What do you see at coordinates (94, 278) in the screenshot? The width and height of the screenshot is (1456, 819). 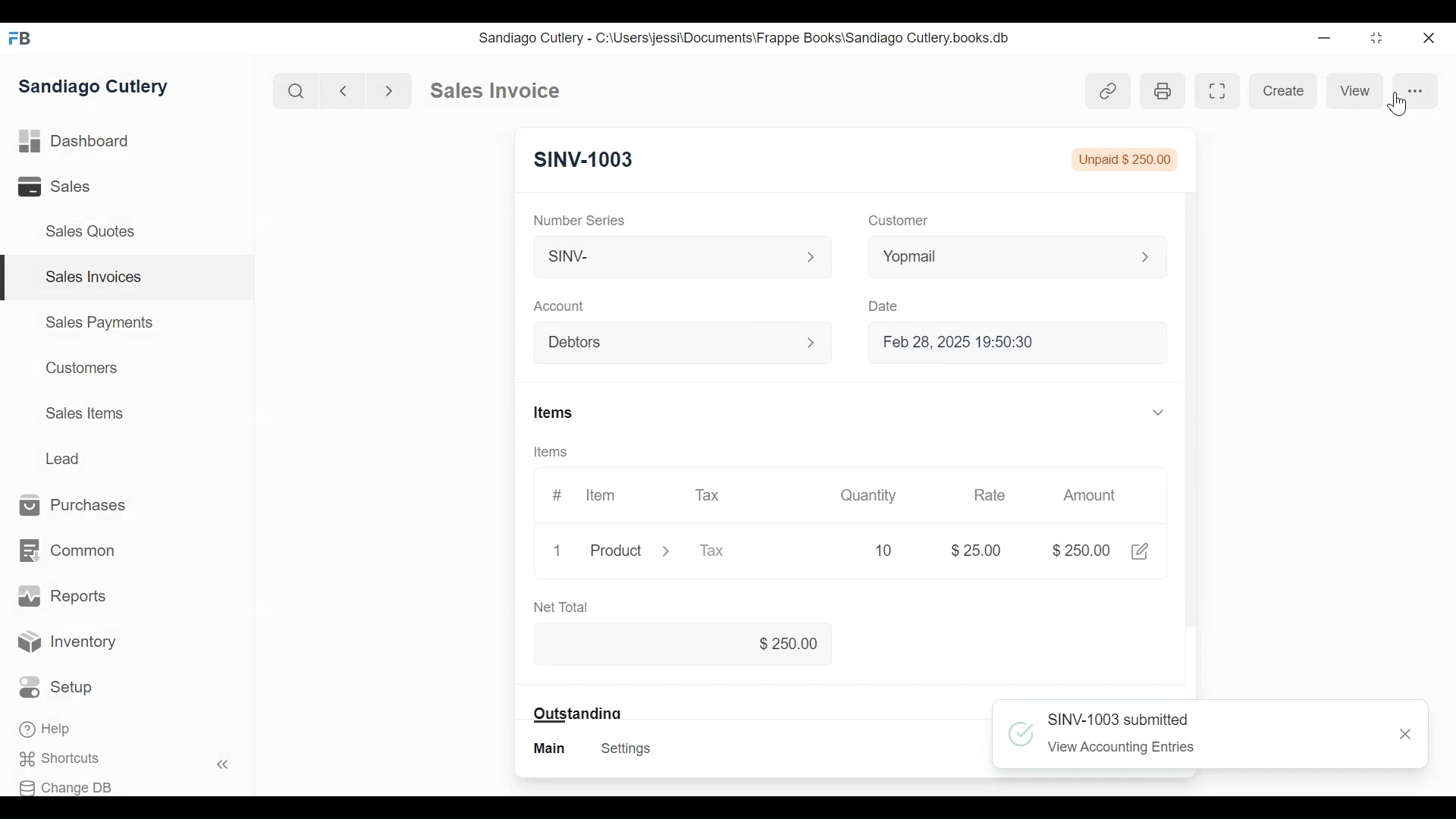 I see `Sales Invoices` at bounding box center [94, 278].